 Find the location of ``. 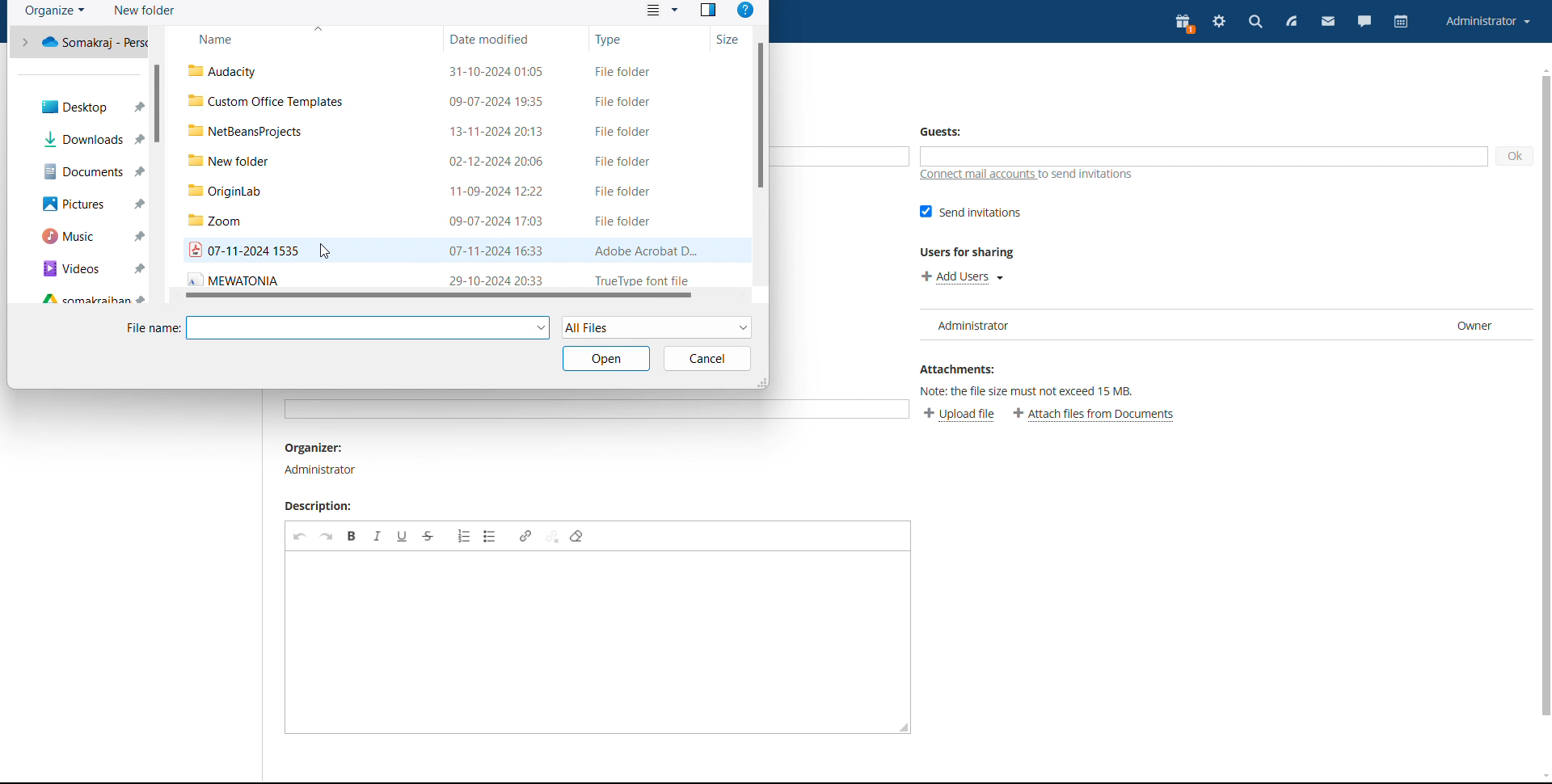

 is located at coordinates (708, 362).